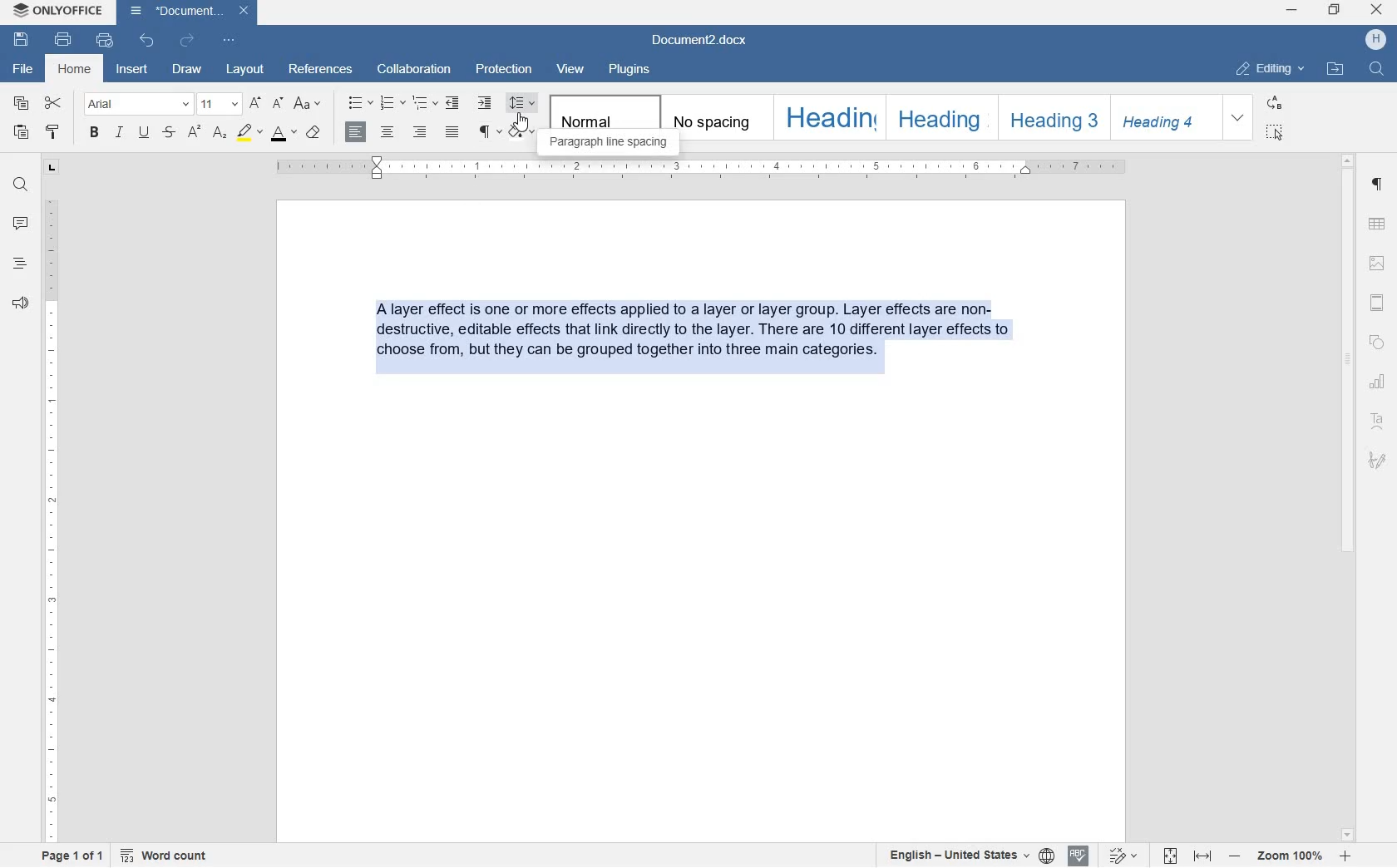 This screenshot has height=868, width=1397. I want to click on bullets, so click(359, 103).